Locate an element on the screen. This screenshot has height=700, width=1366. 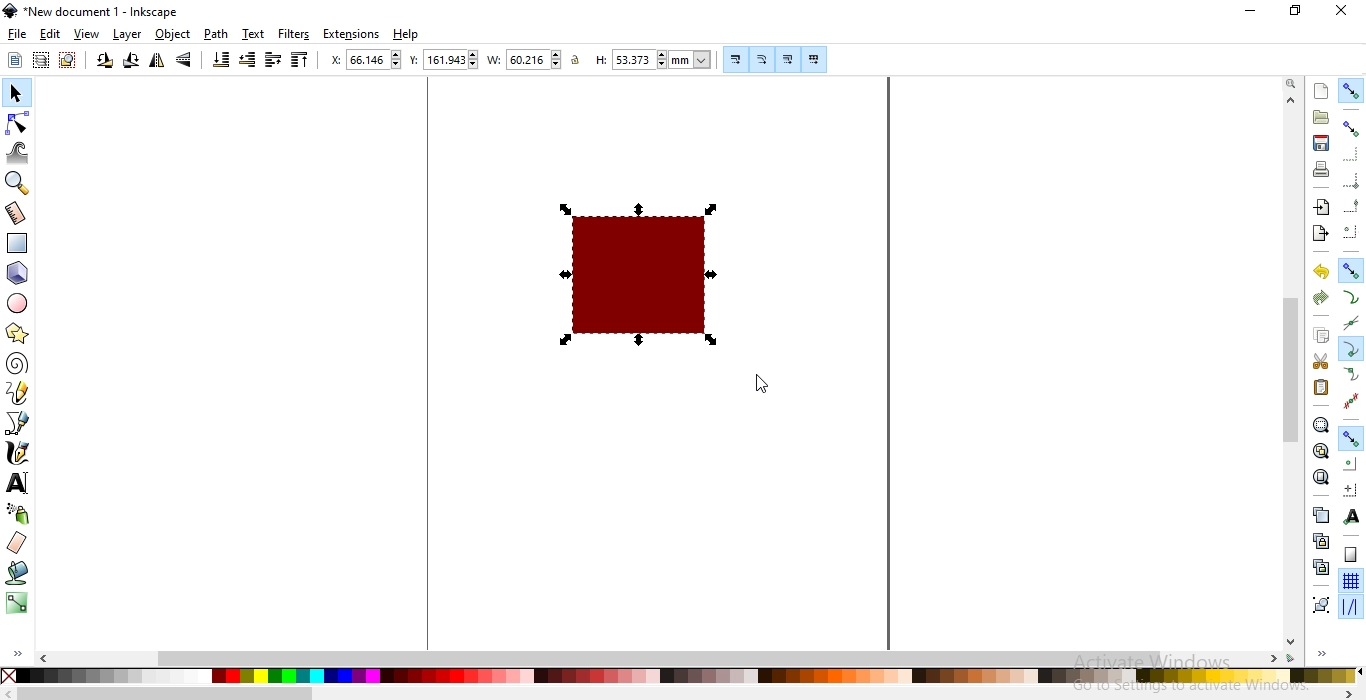
extensions is located at coordinates (354, 33).